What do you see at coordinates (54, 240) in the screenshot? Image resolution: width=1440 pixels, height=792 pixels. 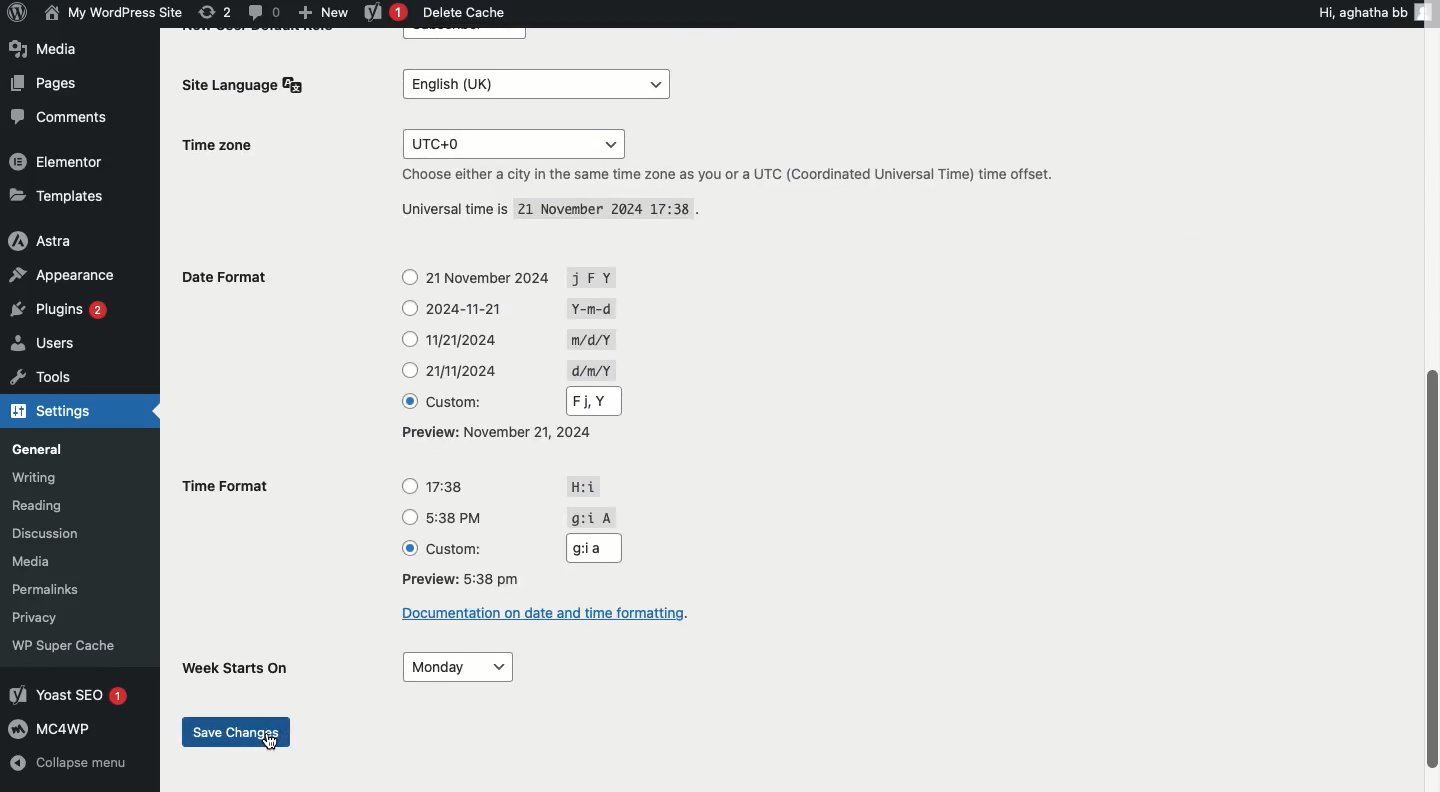 I see `Astra` at bounding box center [54, 240].